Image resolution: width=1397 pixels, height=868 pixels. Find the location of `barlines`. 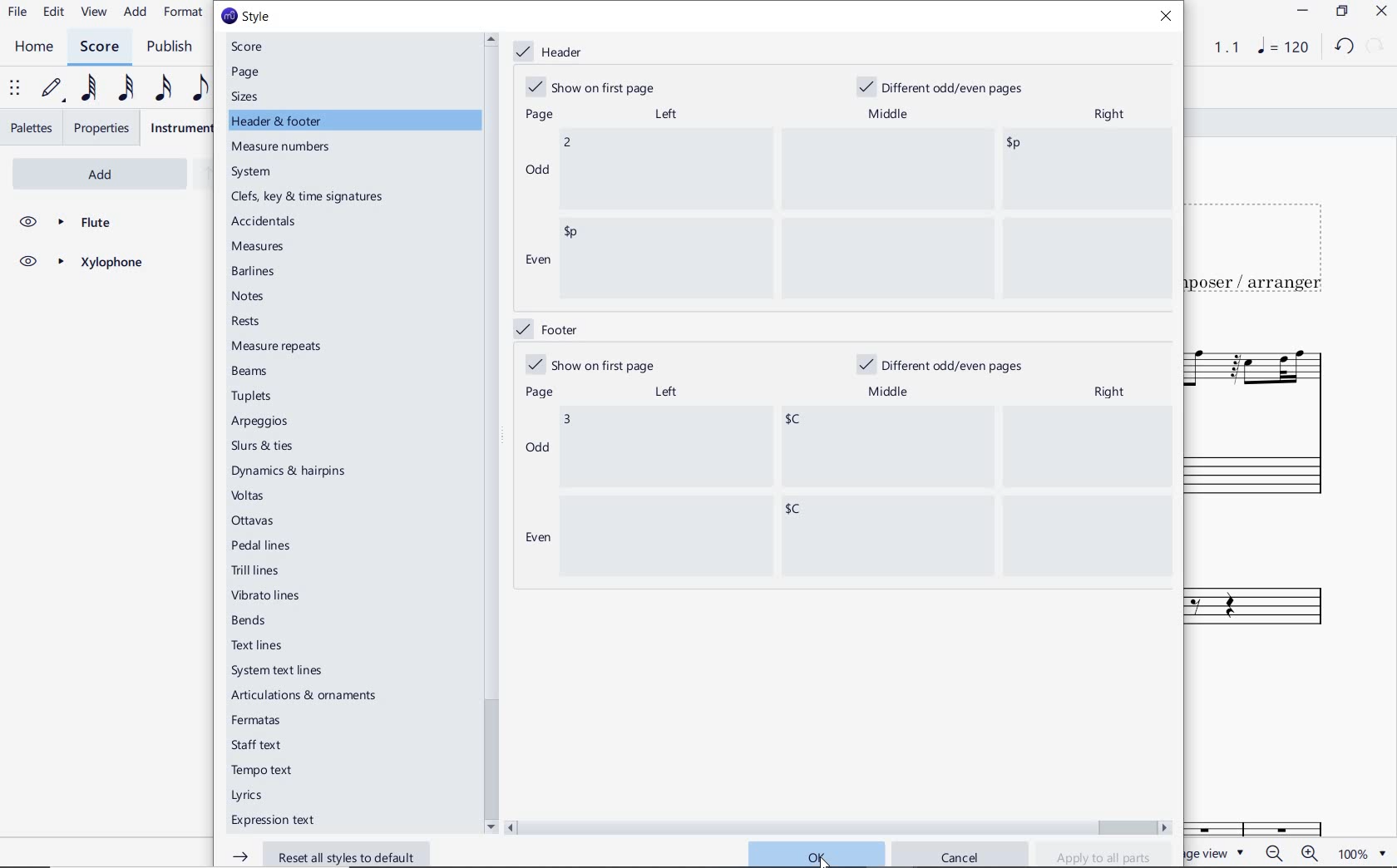

barlines is located at coordinates (256, 273).